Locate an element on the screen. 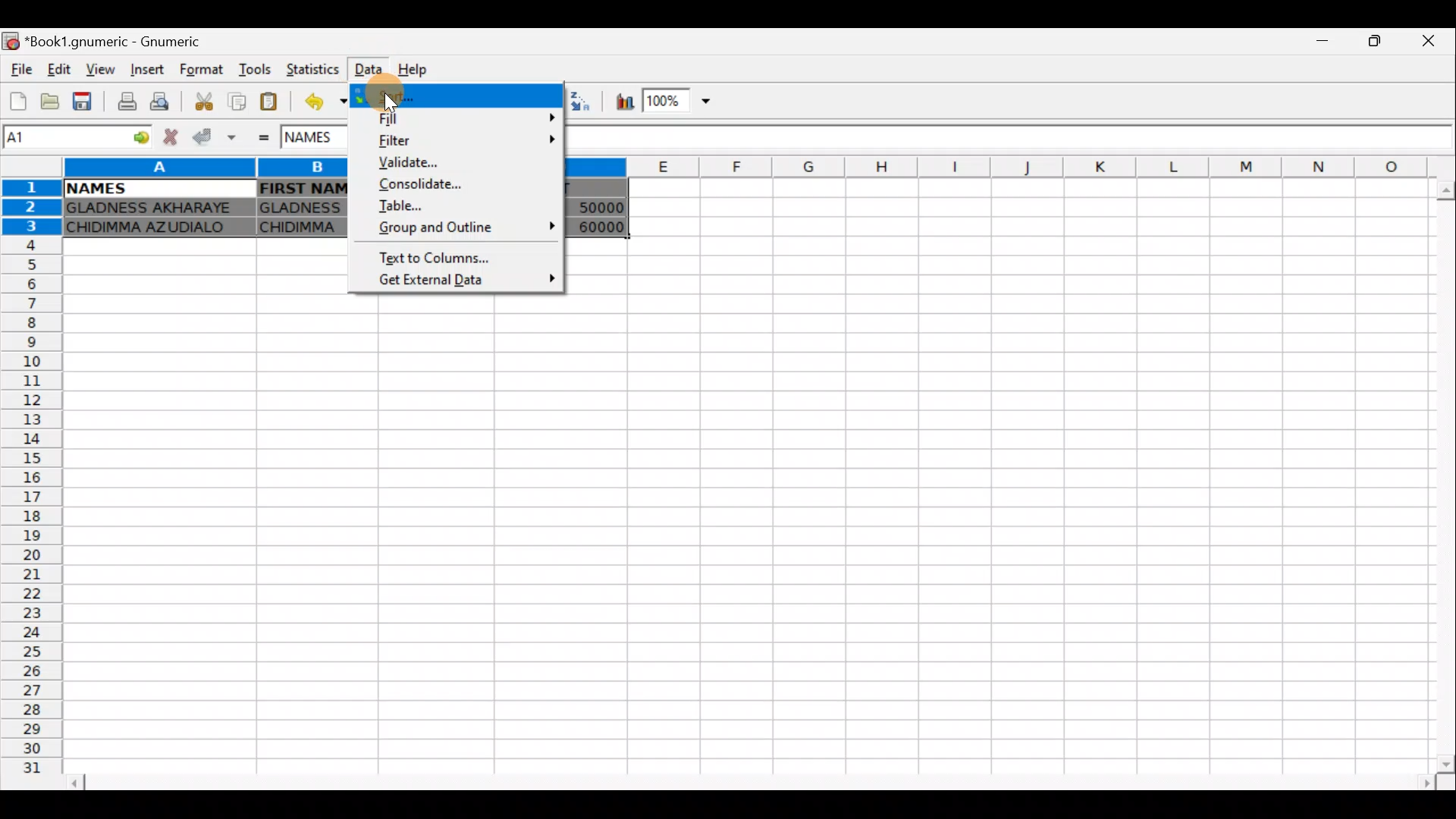 This screenshot has height=819, width=1456. NAMES is located at coordinates (95, 189).